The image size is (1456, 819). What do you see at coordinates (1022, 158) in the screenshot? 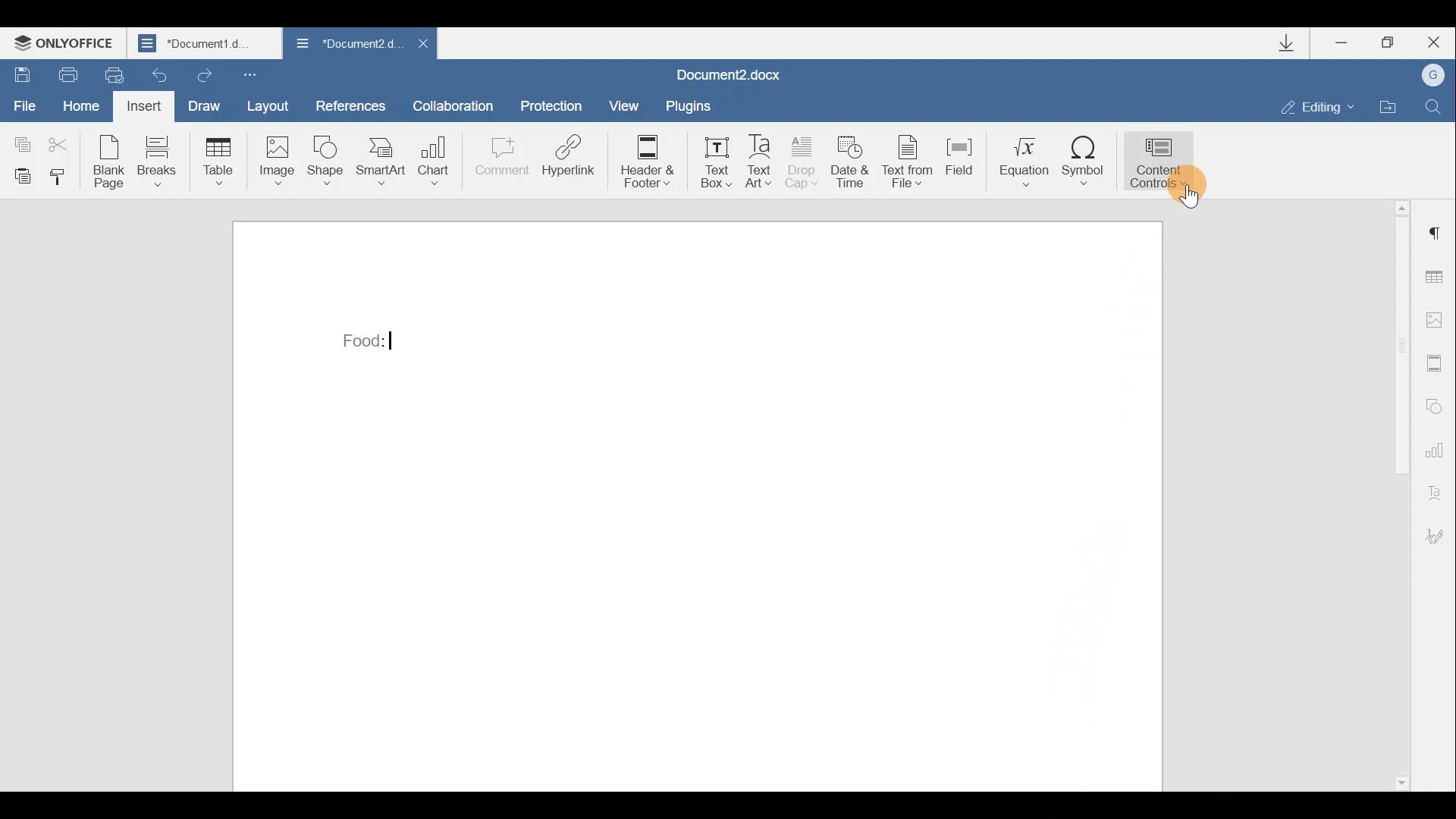
I see `Equation` at bounding box center [1022, 158].